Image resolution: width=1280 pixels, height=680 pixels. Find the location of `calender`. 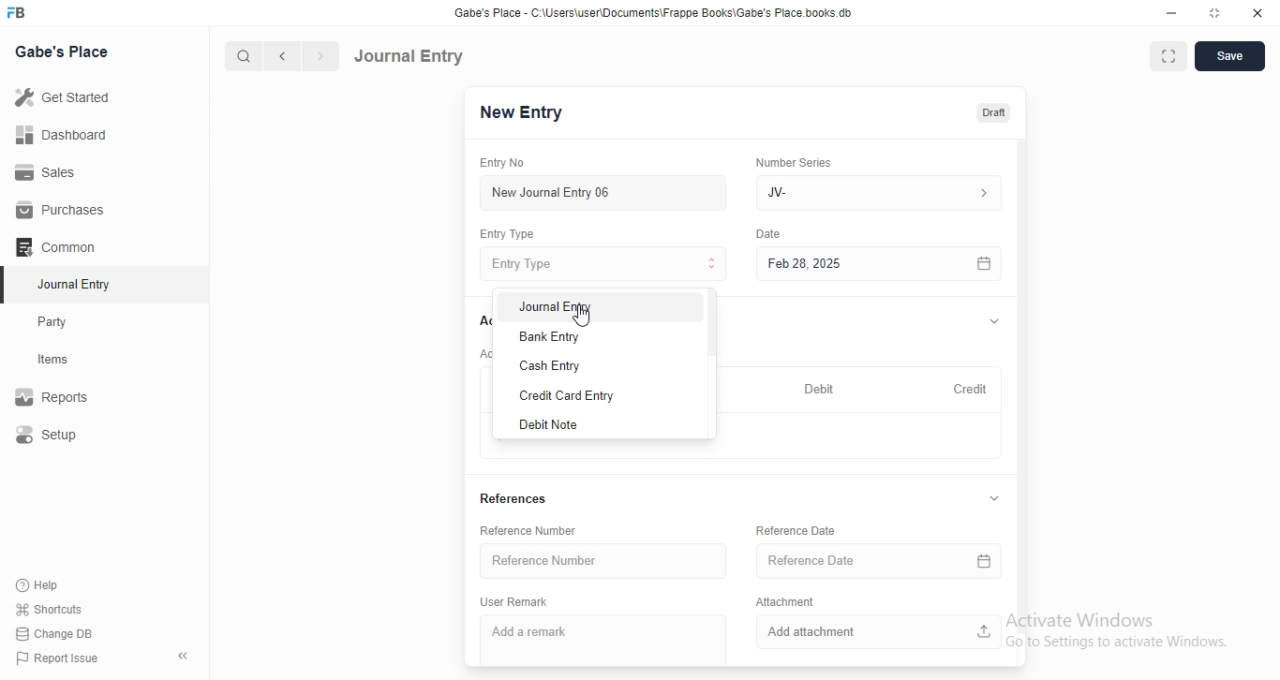

calender is located at coordinates (982, 562).